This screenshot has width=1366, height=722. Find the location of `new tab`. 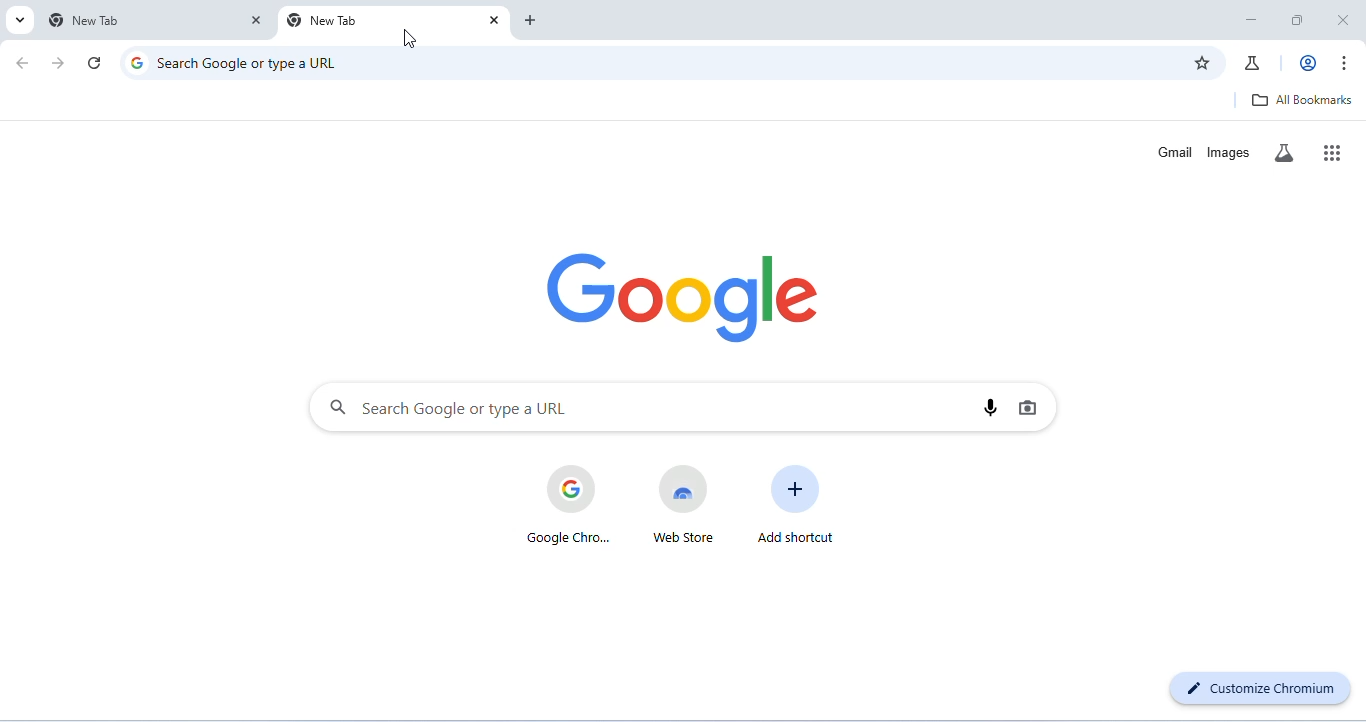

new tab is located at coordinates (97, 18).